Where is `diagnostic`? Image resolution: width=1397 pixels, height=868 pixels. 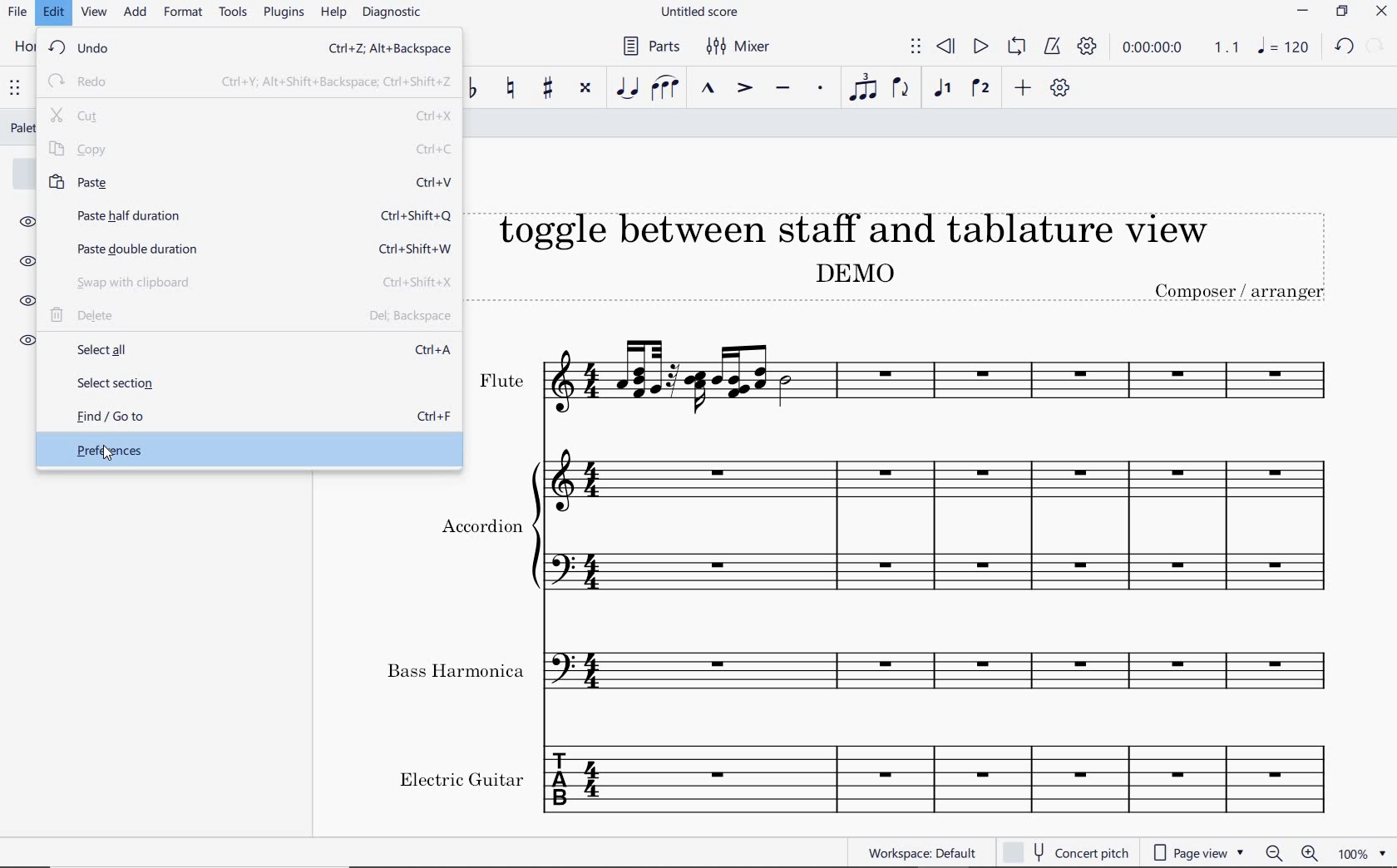 diagnostic is located at coordinates (396, 15).